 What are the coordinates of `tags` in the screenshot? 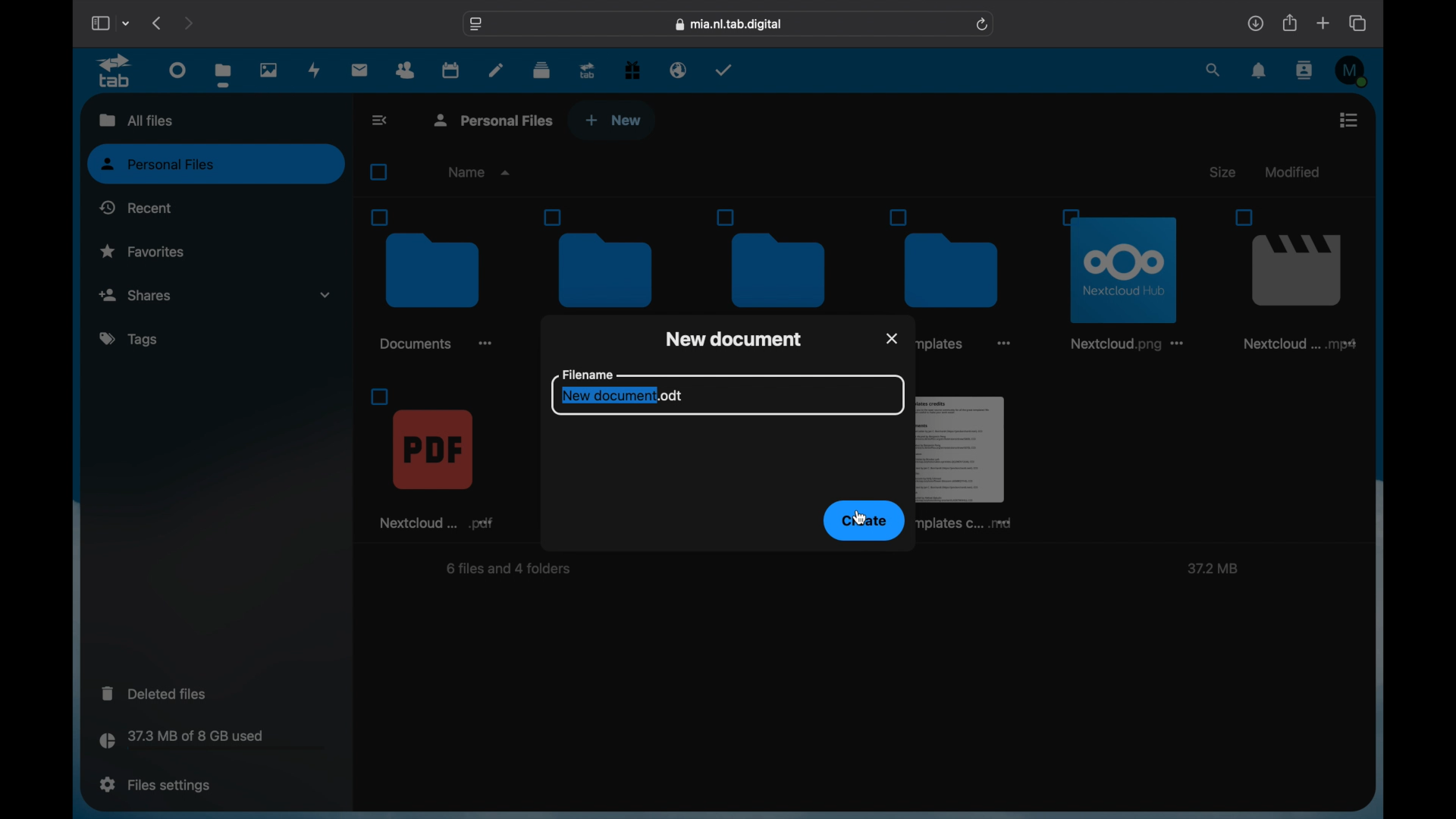 It's located at (130, 340).